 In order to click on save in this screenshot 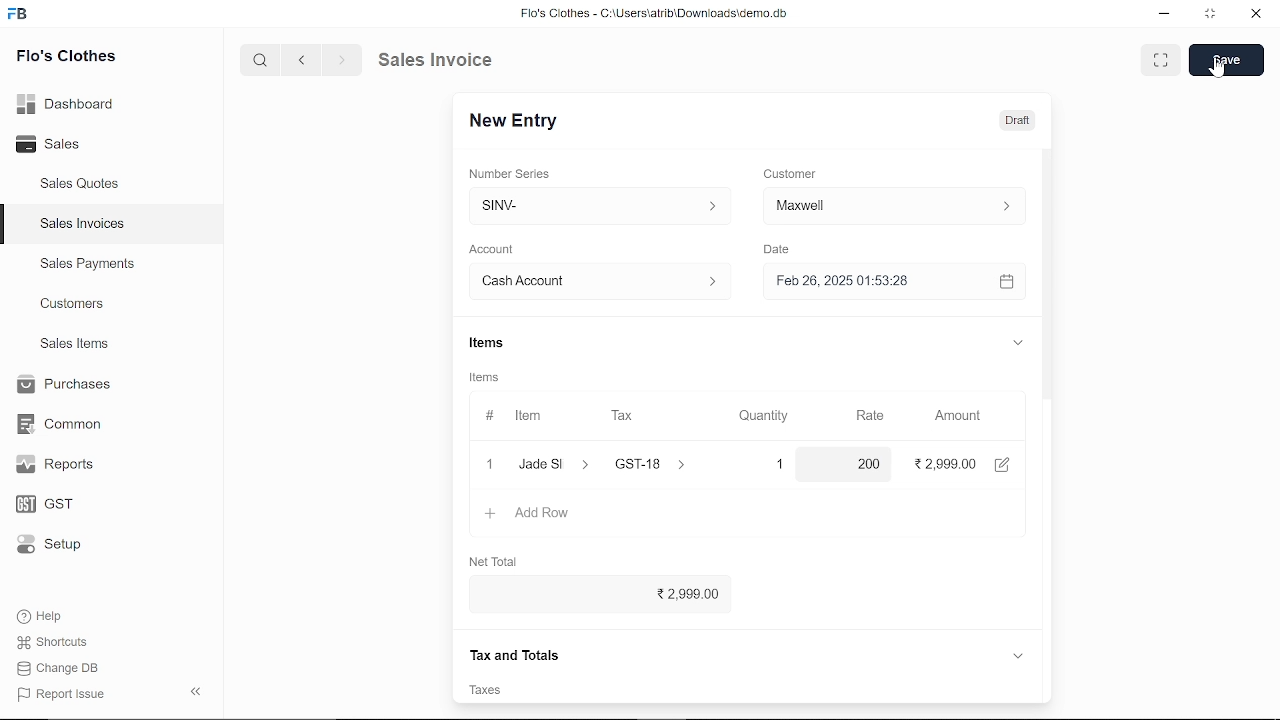, I will do `click(1226, 60)`.